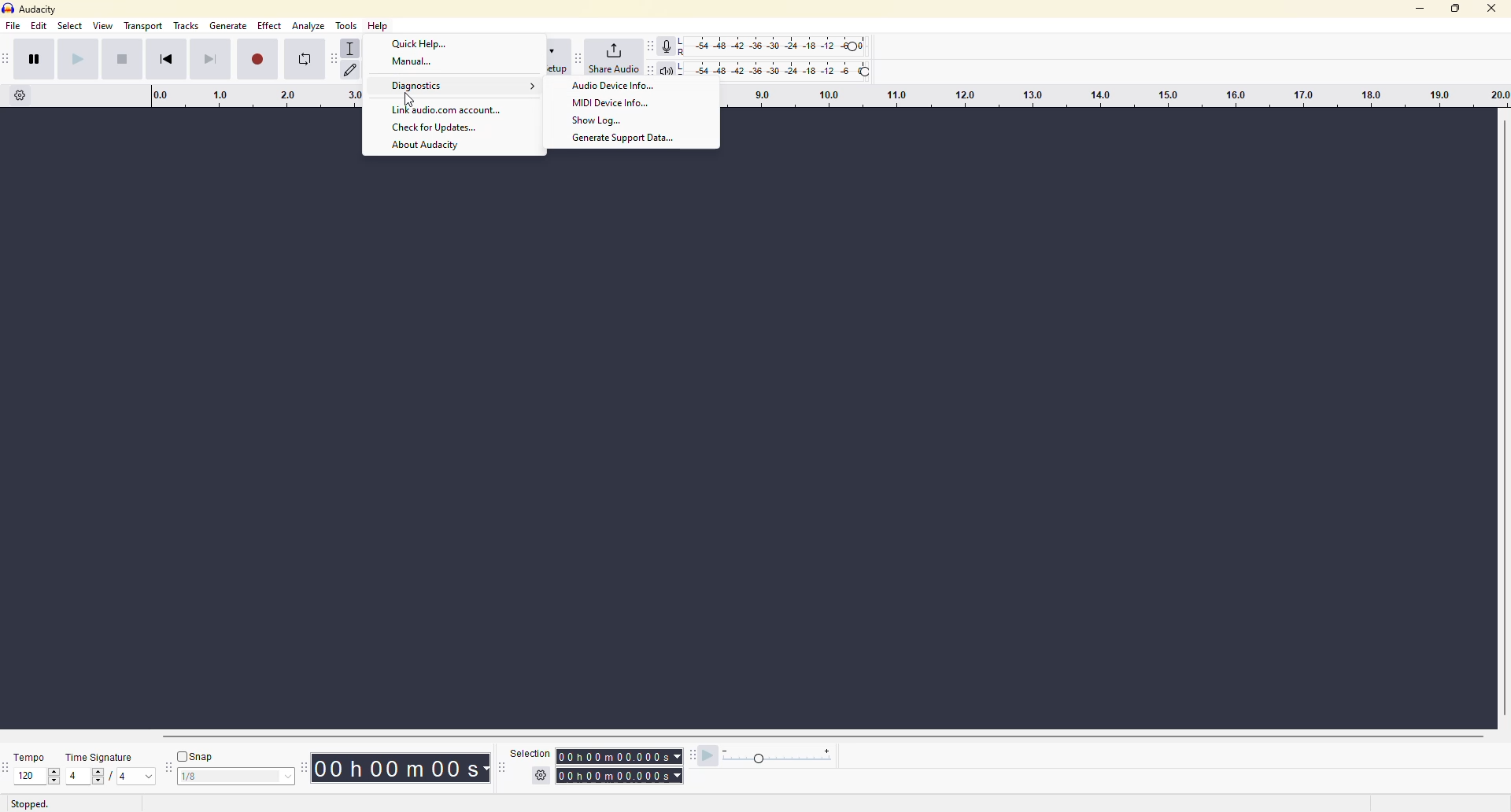 The height and width of the screenshot is (812, 1511). Describe the element at coordinates (578, 55) in the screenshot. I see `audacity share audio toolbar` at that location.